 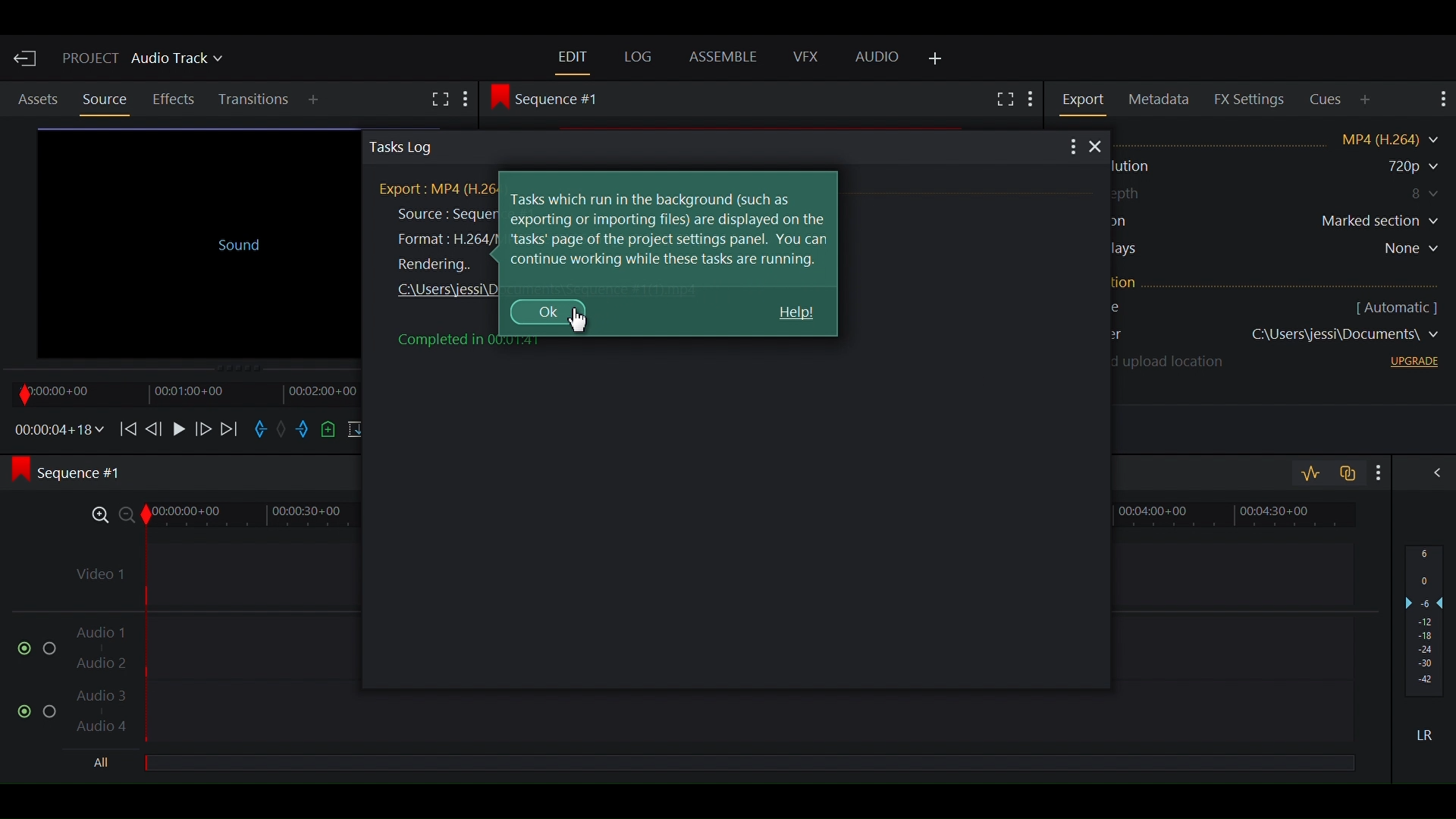 What do you see at coordinates (1282, 251) in the screenshot?
I see `Overlays` at bounding box center [1282, 251].